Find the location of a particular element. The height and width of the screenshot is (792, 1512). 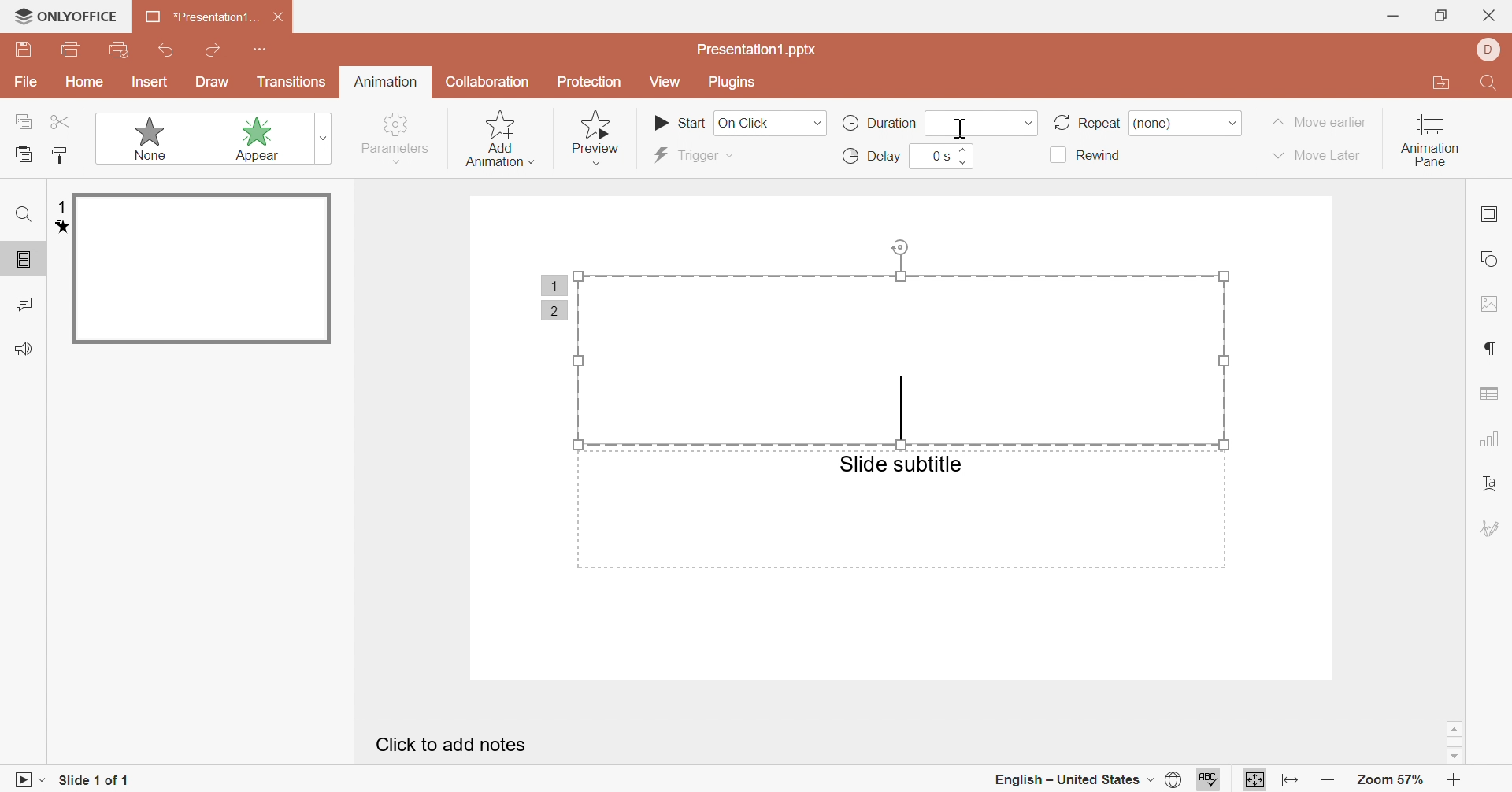

copy is located at coordinates (24, 120).